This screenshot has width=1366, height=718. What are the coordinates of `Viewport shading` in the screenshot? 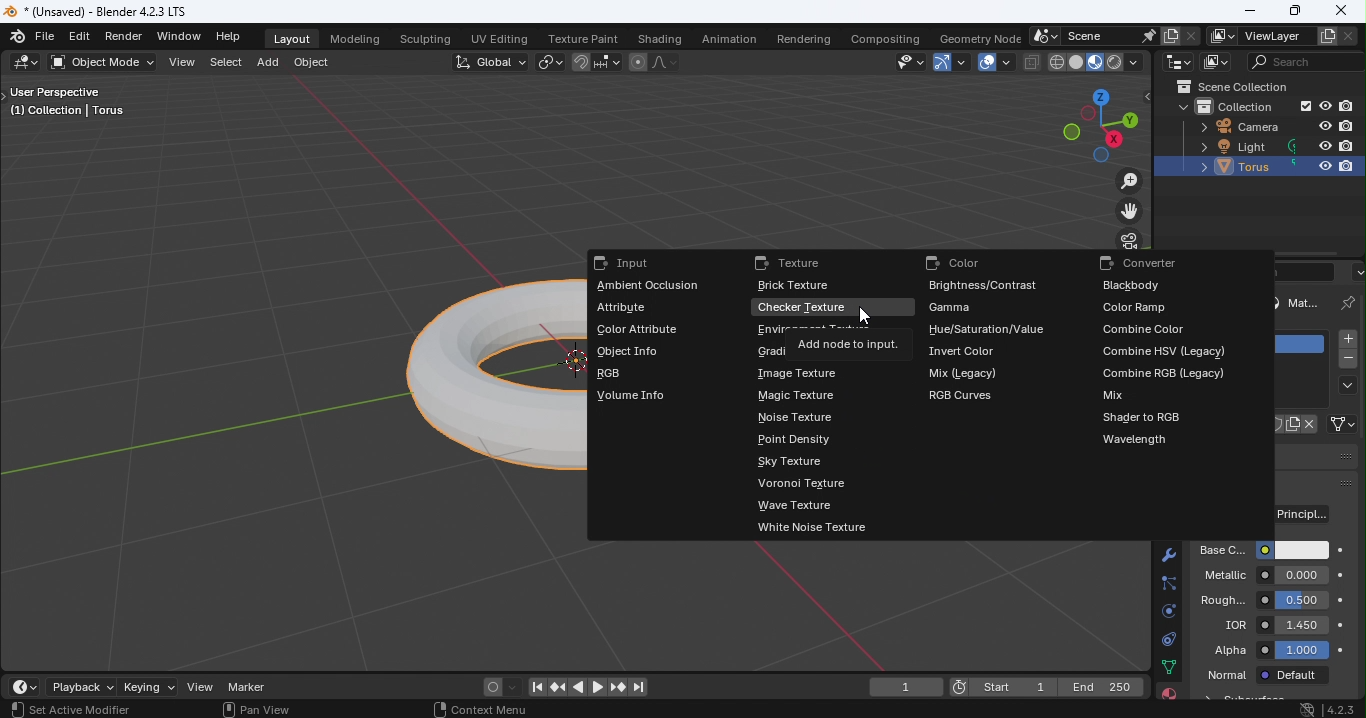 It's located at (1094, 62).